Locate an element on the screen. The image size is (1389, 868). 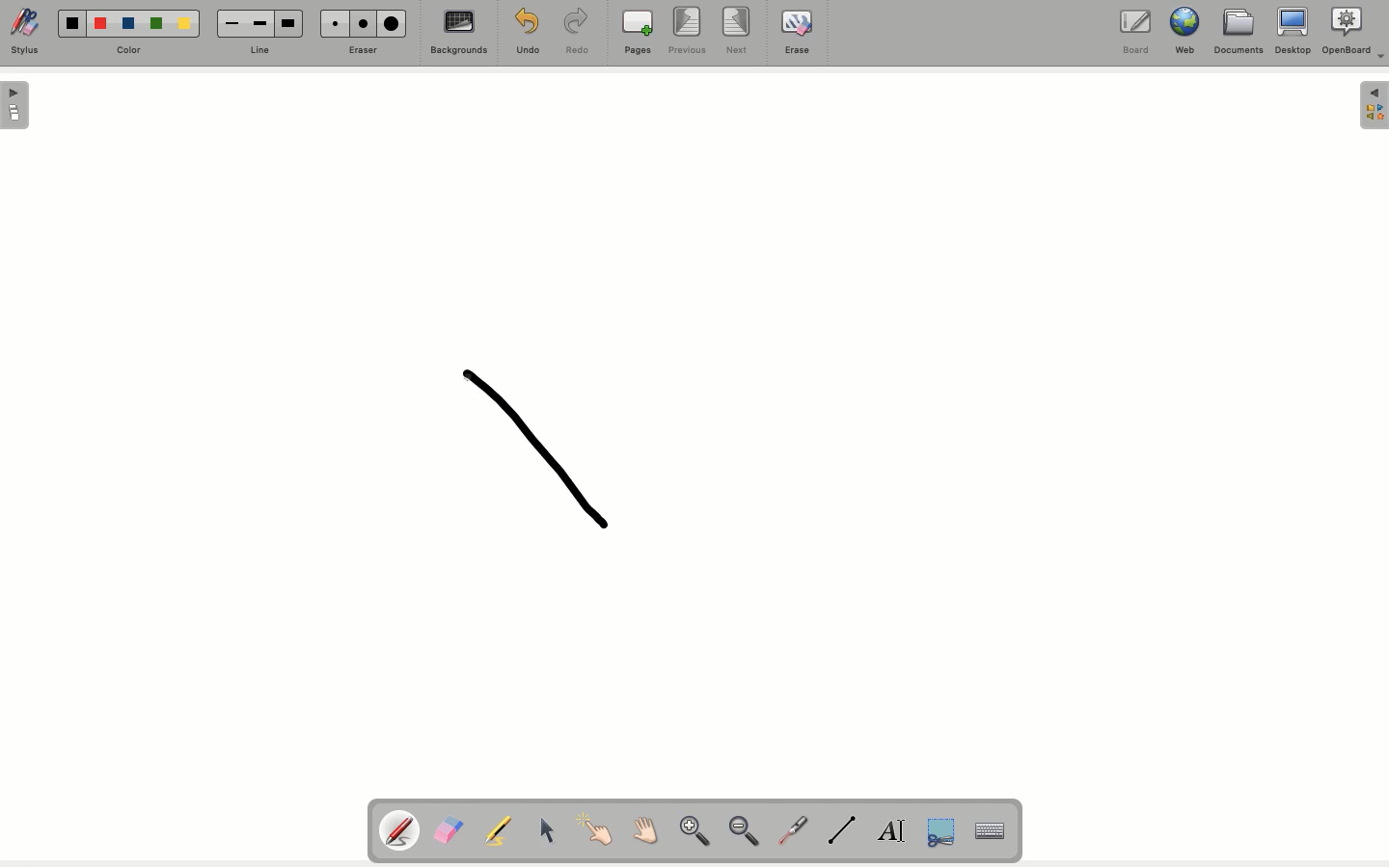
OpenBoard is located at coordinates (1355, 33).